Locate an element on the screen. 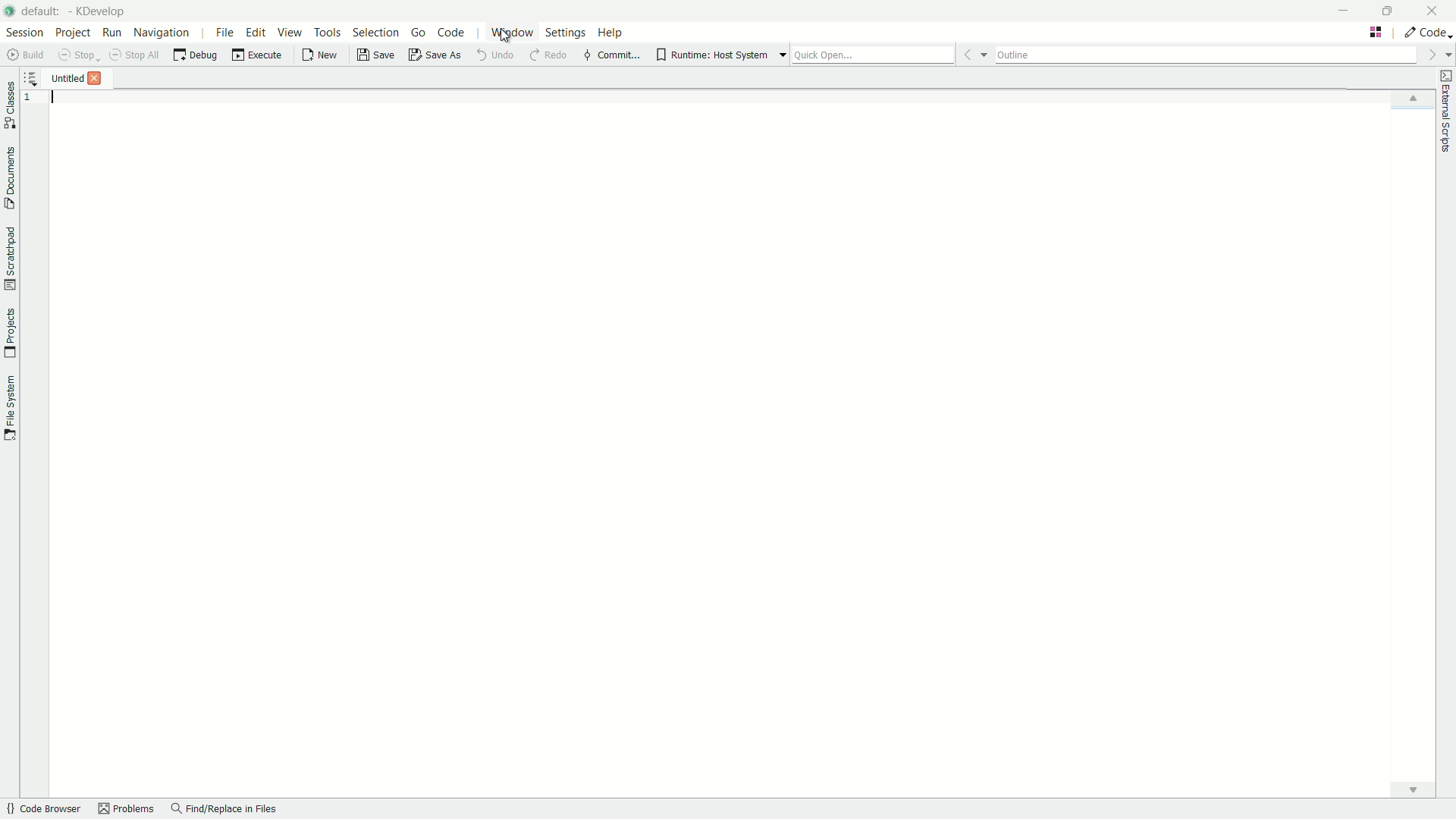 The image size is (1456, 819). runtime host system is located at coordinates (722, 55).